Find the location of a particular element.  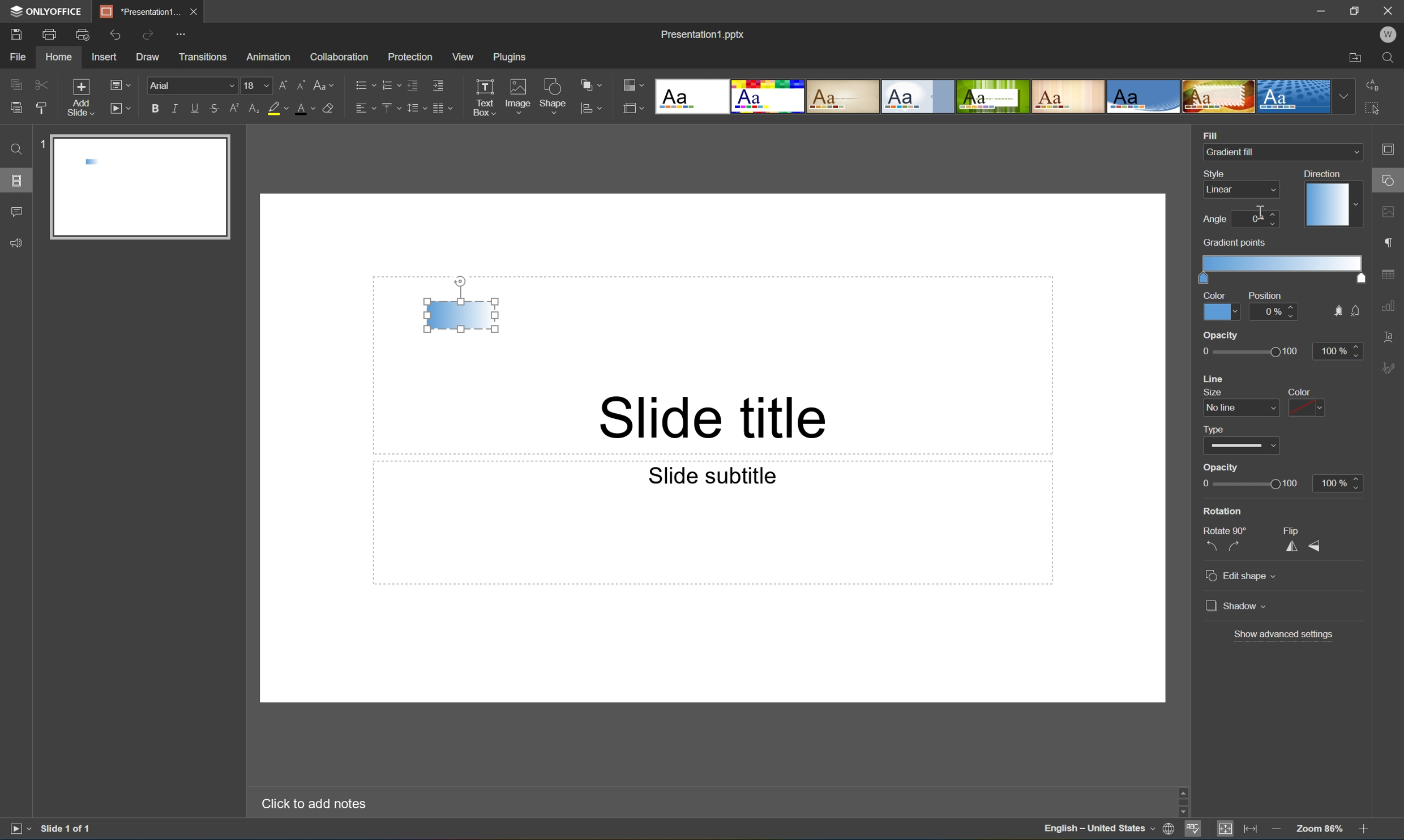

Flip is located at coordinates (1294, 530).